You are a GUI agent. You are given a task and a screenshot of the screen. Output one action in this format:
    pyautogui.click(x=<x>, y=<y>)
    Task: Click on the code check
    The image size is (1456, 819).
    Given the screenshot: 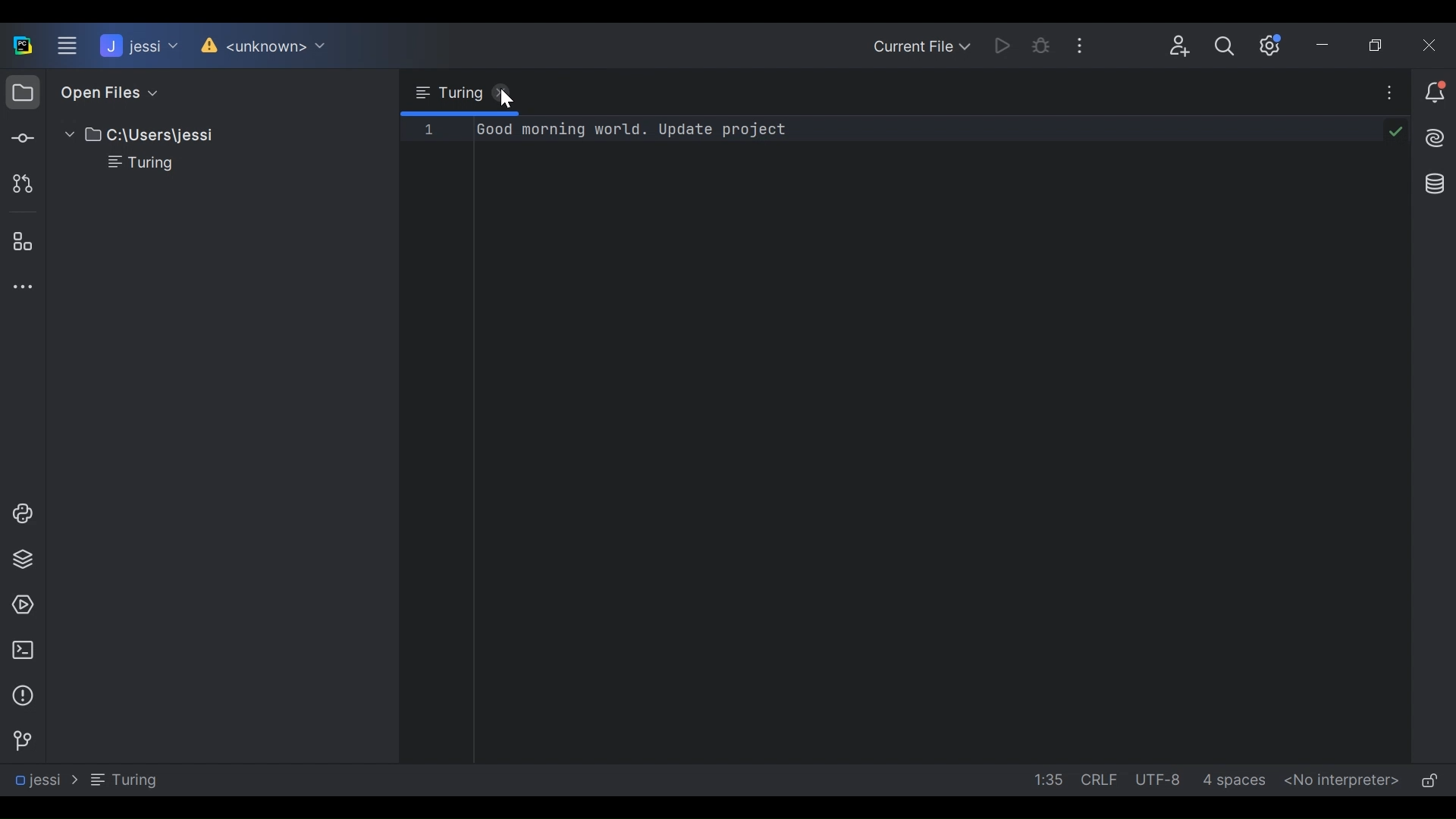 What is the action you would take?
    pyautogui.click(x=1391, y=129)
    